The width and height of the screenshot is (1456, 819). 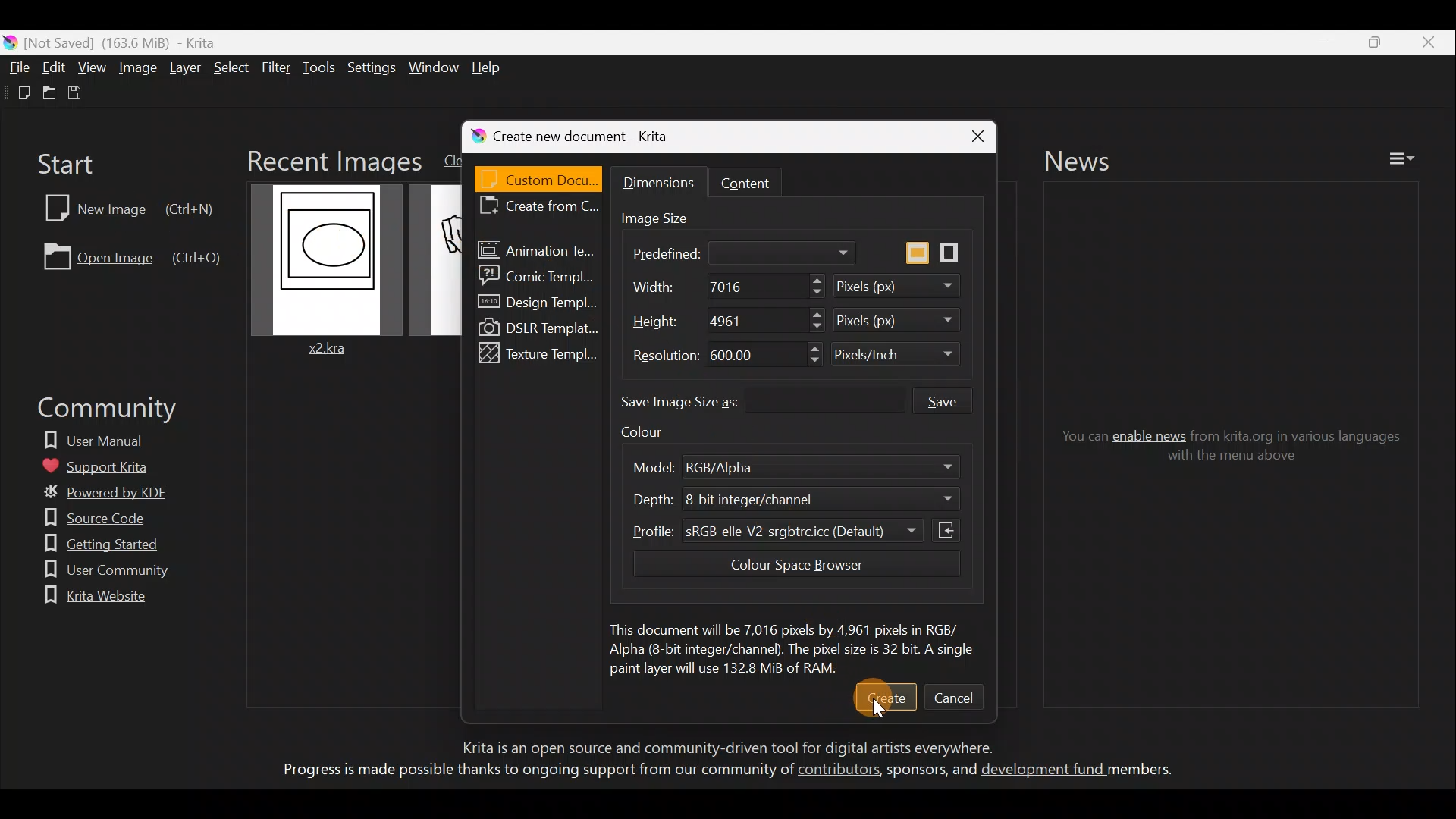 What do you see at coordinates (536, 306) in the screenshot?
I see `Design templates` at bounding box center [536, 306].